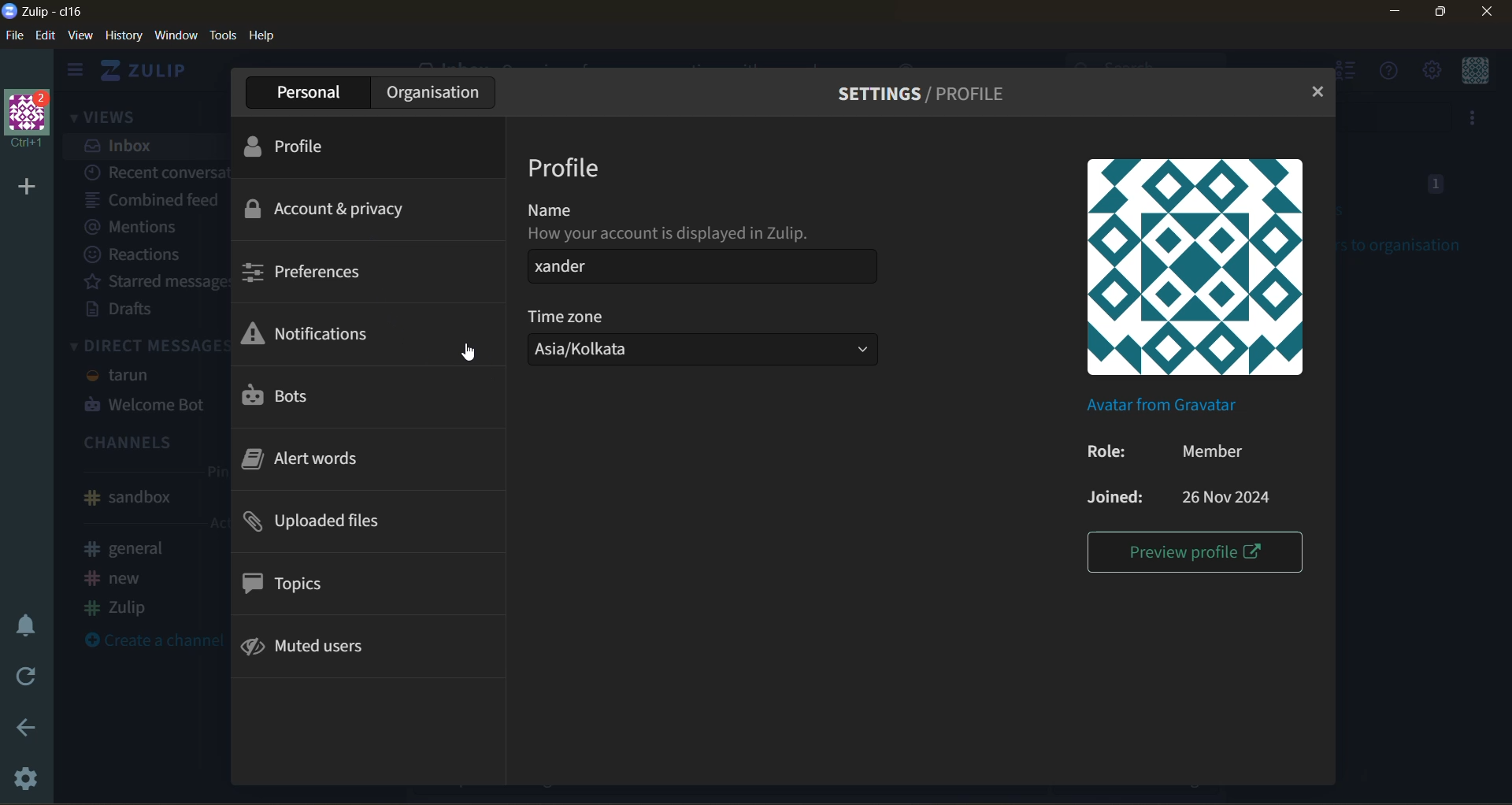 This screenshot has width=1512, height=805. What do you see at coordinates (324, 272) in the screenshot?
I see `preferences` at bounding box center [324, 272].